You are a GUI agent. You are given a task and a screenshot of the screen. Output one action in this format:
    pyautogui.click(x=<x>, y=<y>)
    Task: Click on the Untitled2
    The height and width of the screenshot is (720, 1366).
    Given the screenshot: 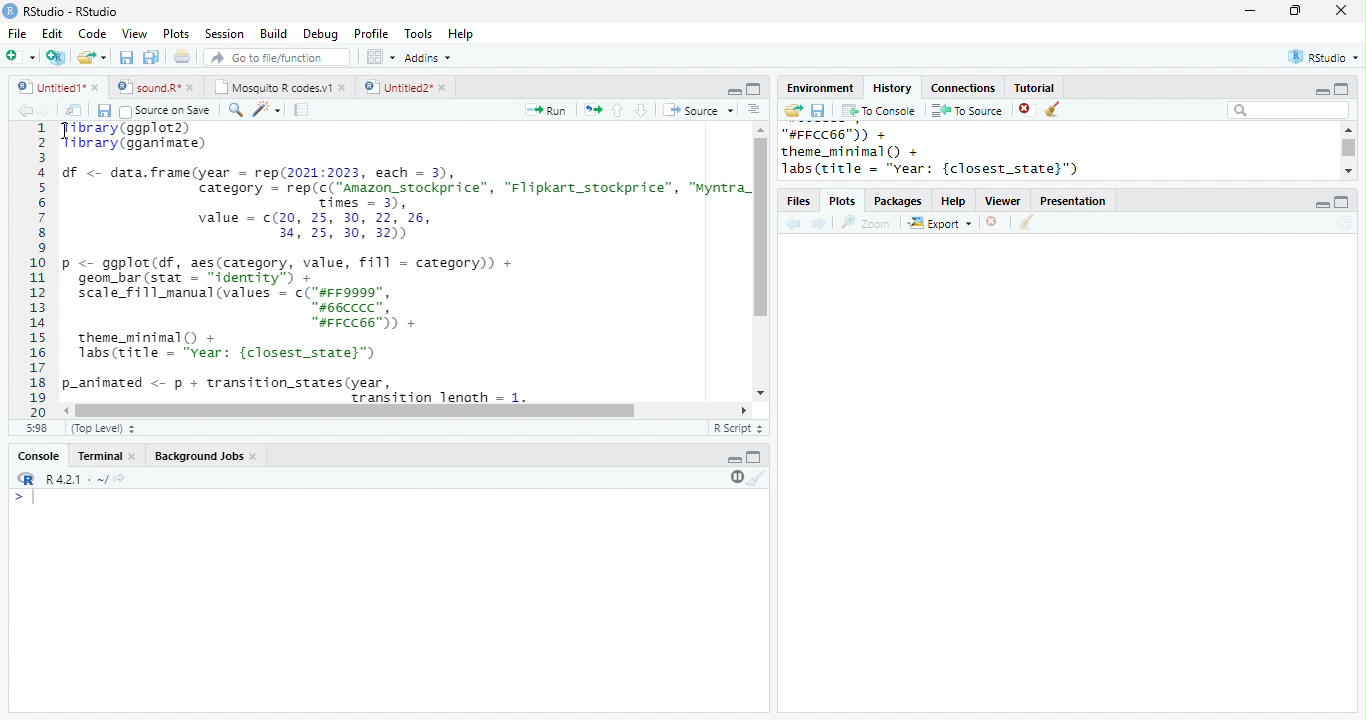 What is the action you would take?
    pyautogui.click(x=396, y=87)
    